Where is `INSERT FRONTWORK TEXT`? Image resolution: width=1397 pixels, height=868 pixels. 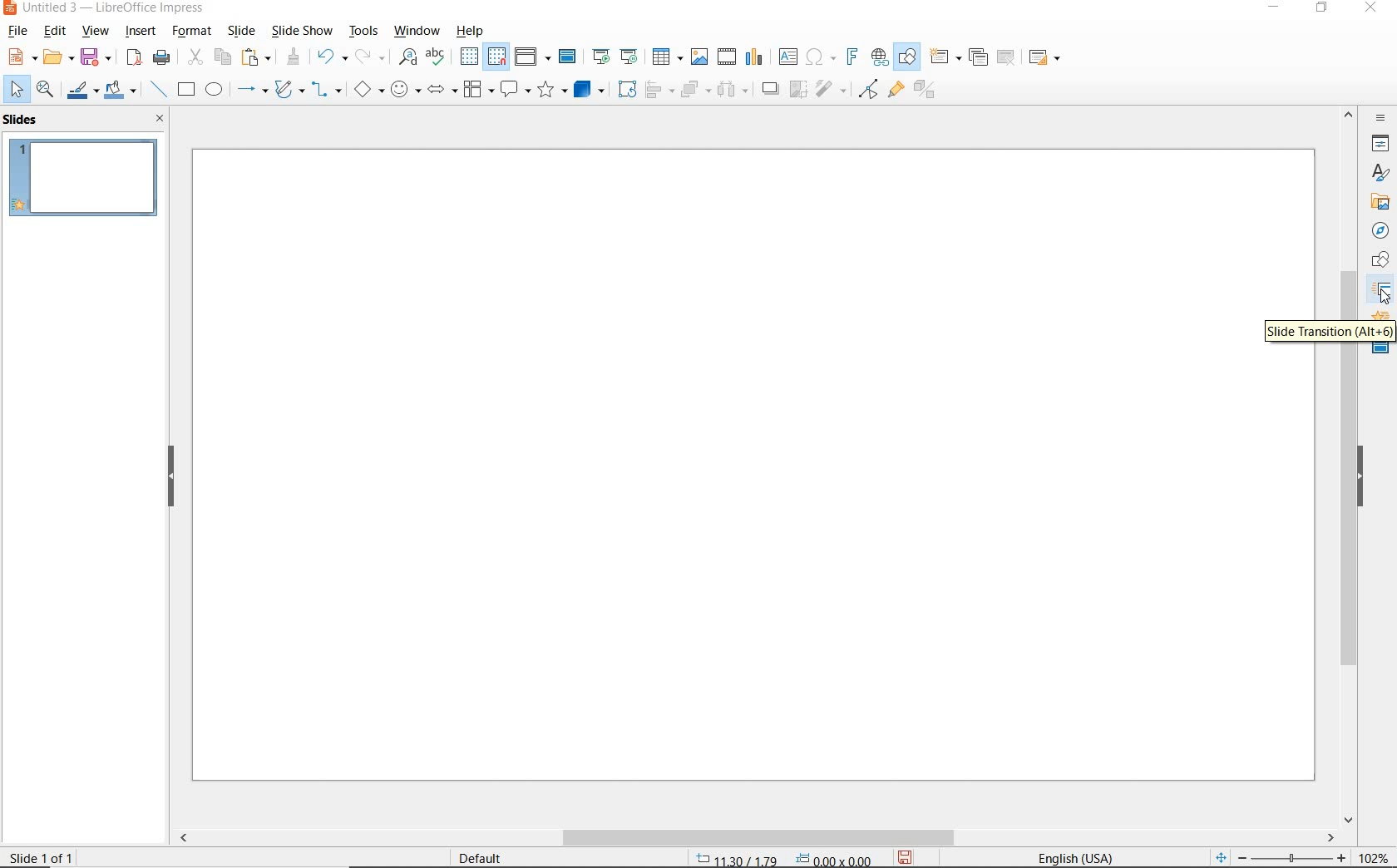 INSERT FRONTWORK TEXT is located at coordinates (851, 57).